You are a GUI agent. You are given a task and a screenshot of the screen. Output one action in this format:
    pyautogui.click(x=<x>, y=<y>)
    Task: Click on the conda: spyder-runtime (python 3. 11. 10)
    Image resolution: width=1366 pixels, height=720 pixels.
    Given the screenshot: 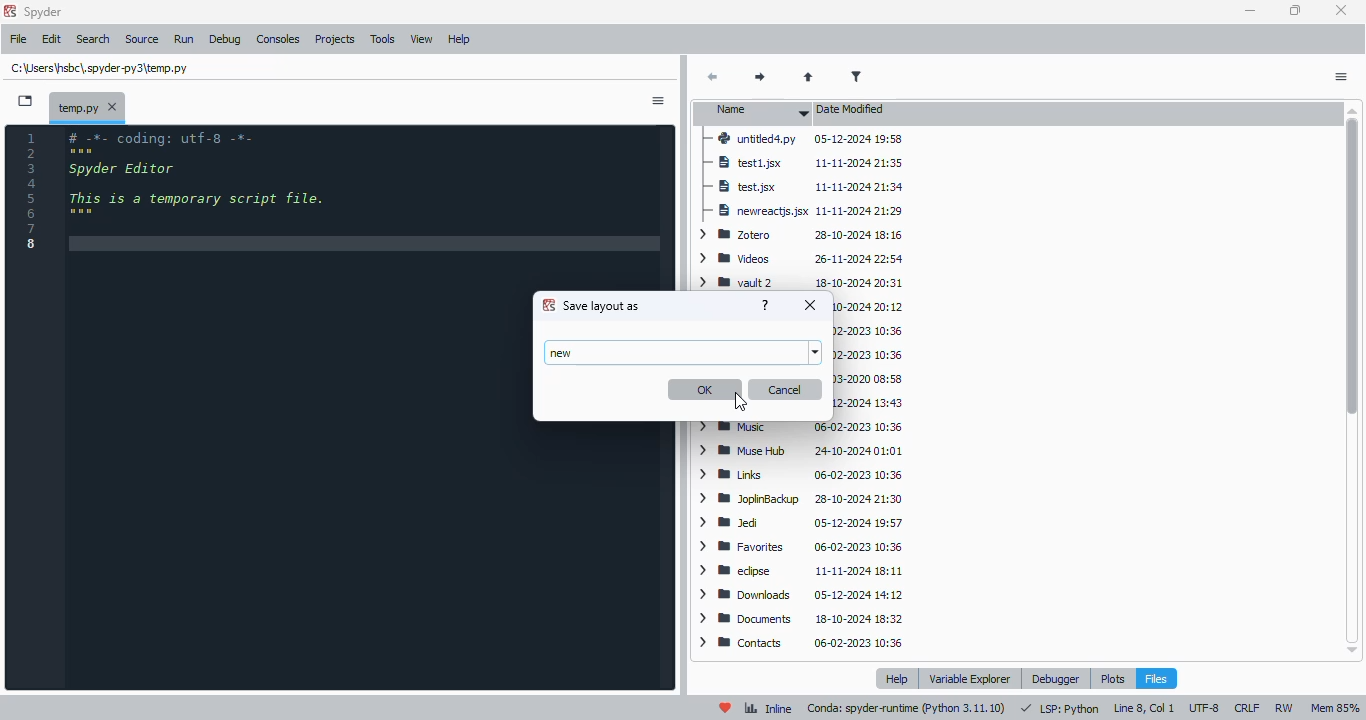 What is the action you would take?
    pyautogui.click(x=907, y=709)
    